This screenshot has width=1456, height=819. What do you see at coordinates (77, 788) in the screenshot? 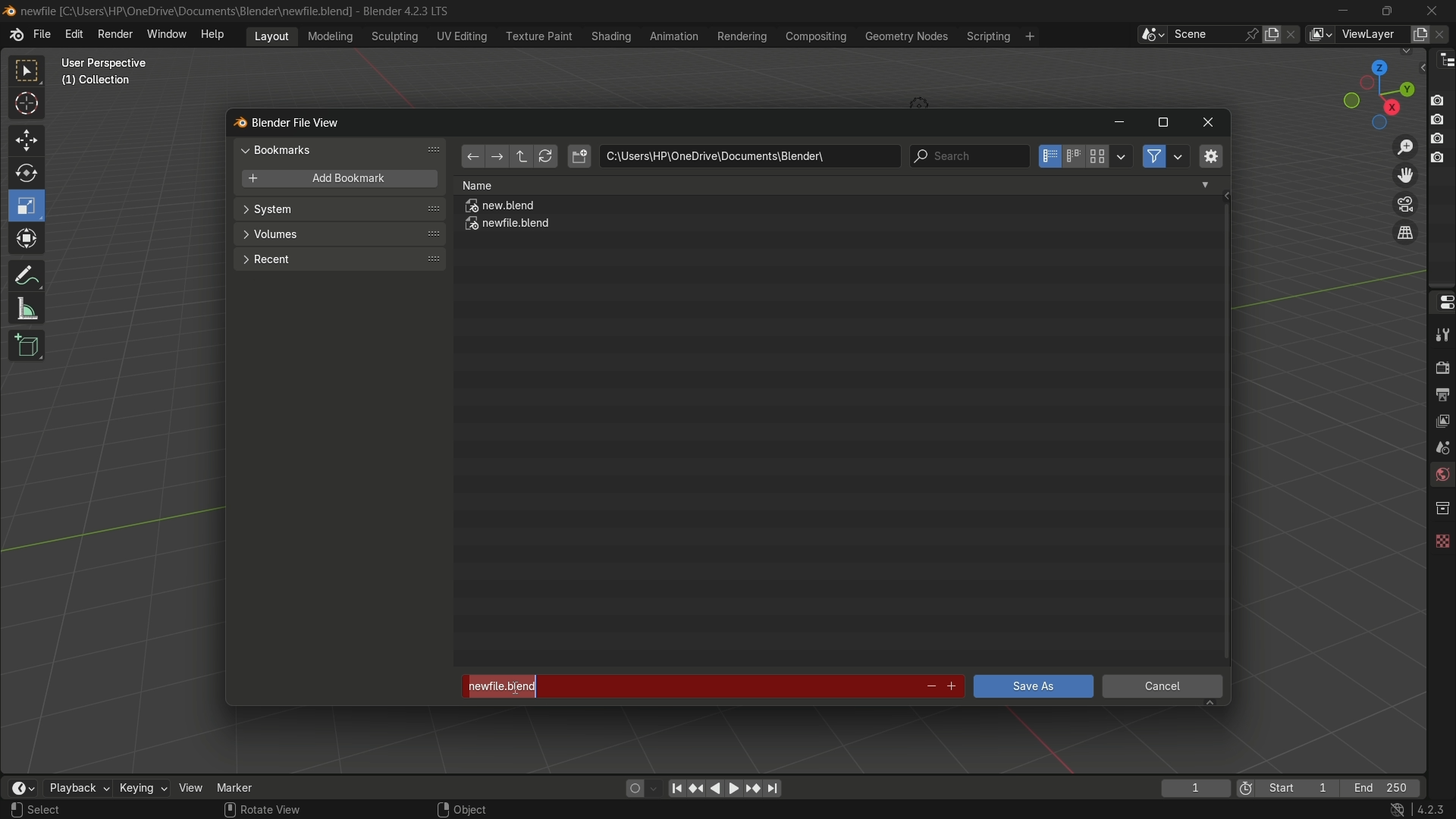
I see `playback` at bounding box center [77, 788].